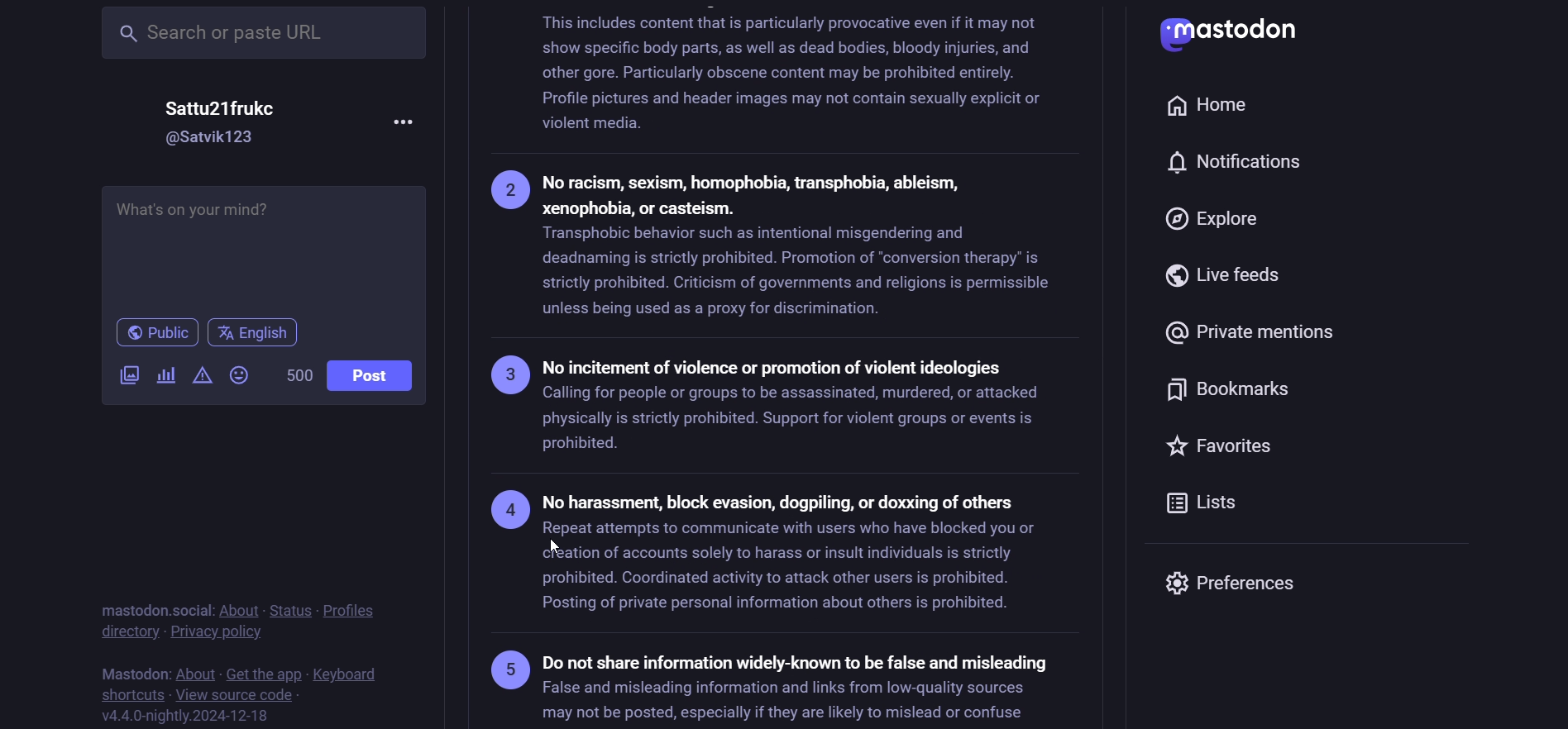 This screenshot has width=1568, height=729. Describe the element at coordinates (237, 610) in the screenshot. I see `about` at that location.